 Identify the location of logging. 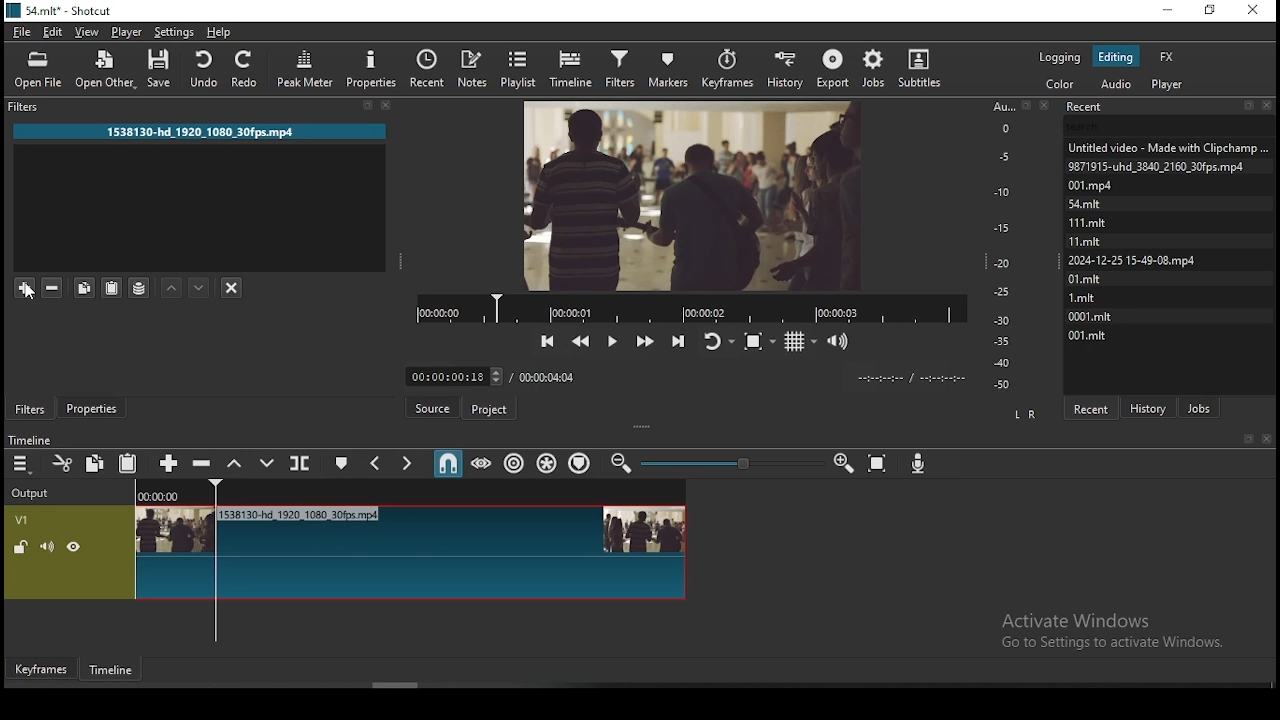
(1059, 55).